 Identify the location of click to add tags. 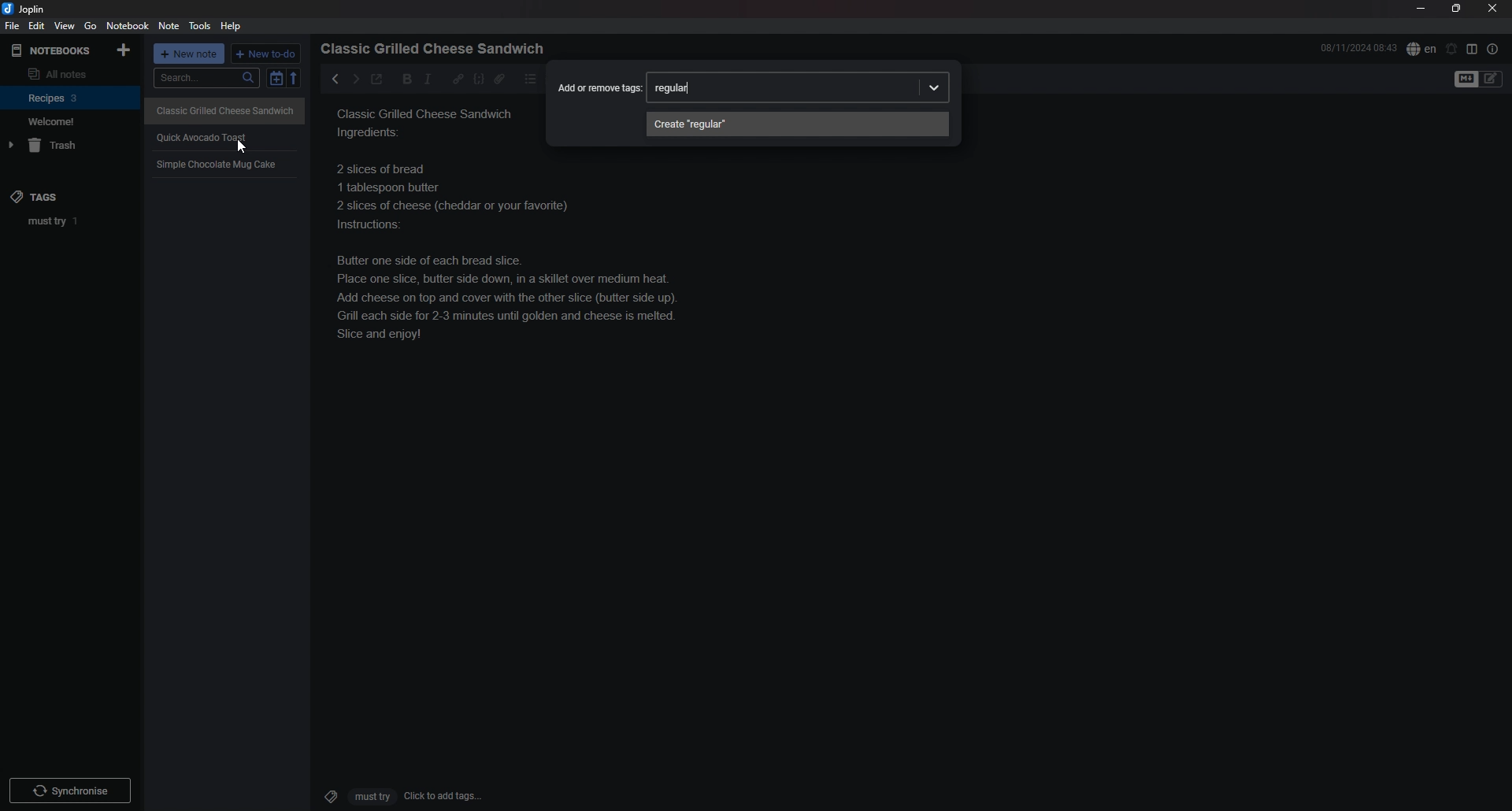
(396, 795).